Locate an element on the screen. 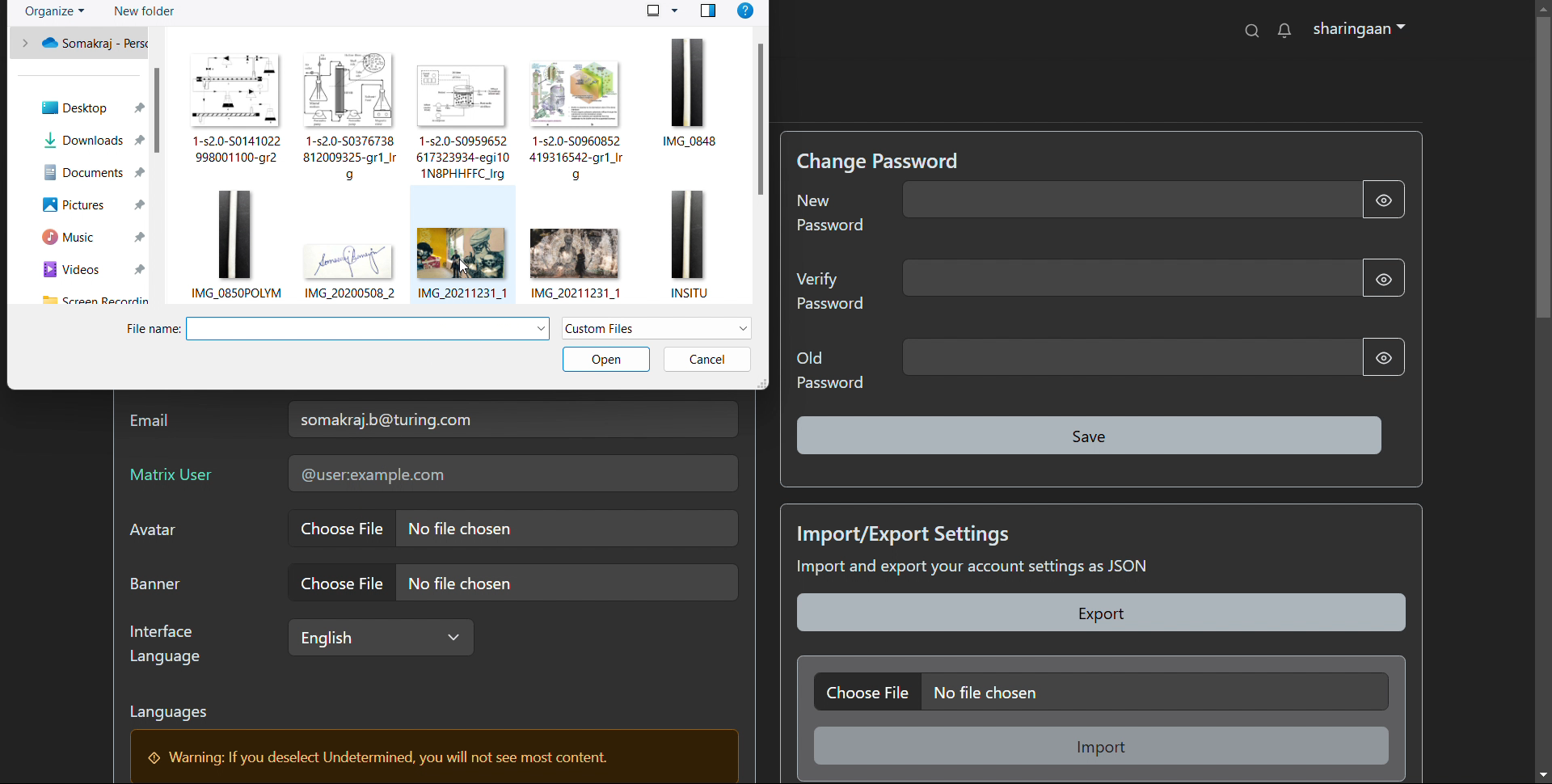  scrollbar is located at coordinates (157, 110).